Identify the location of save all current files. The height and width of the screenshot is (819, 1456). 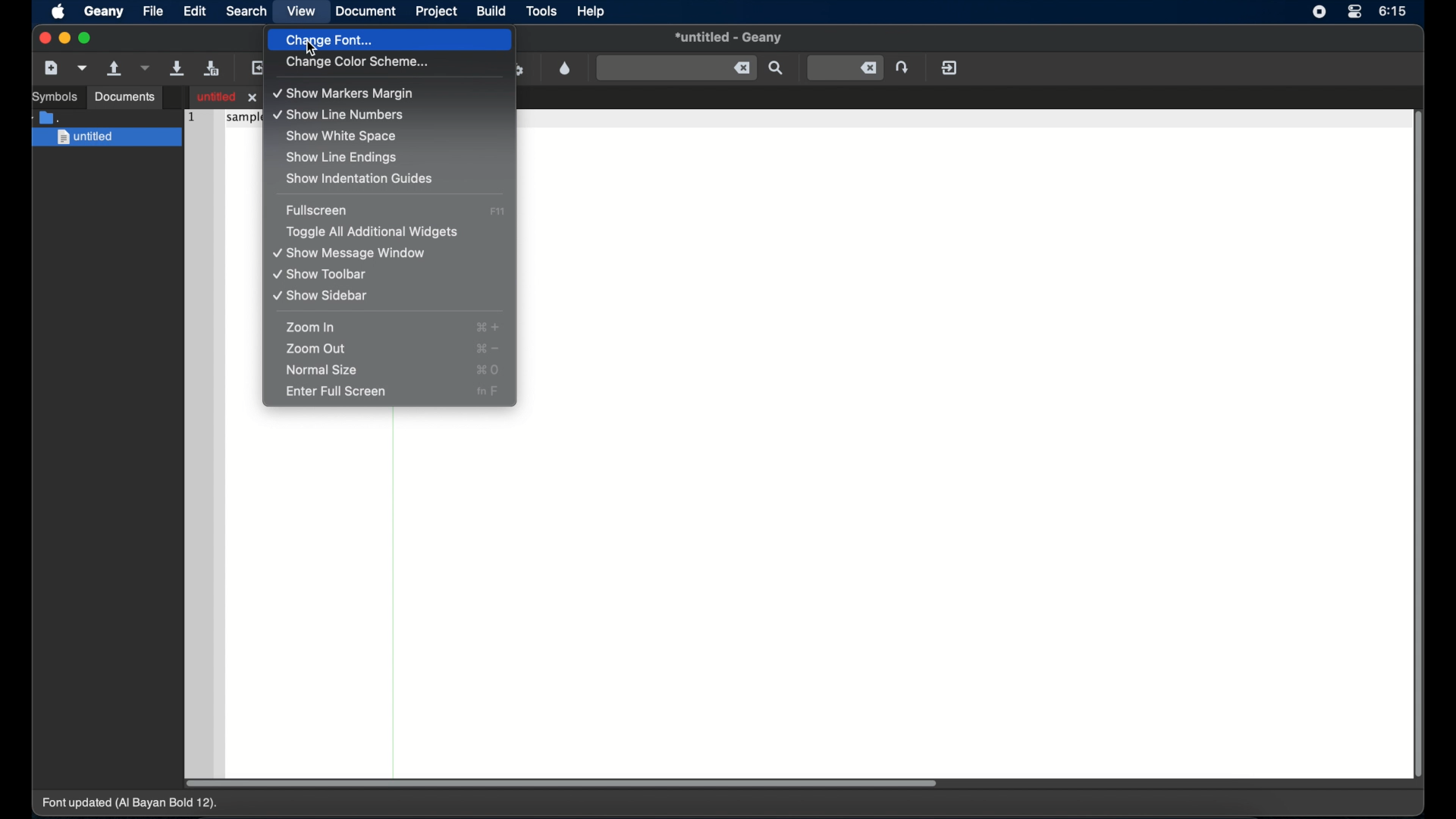
(212, 69).